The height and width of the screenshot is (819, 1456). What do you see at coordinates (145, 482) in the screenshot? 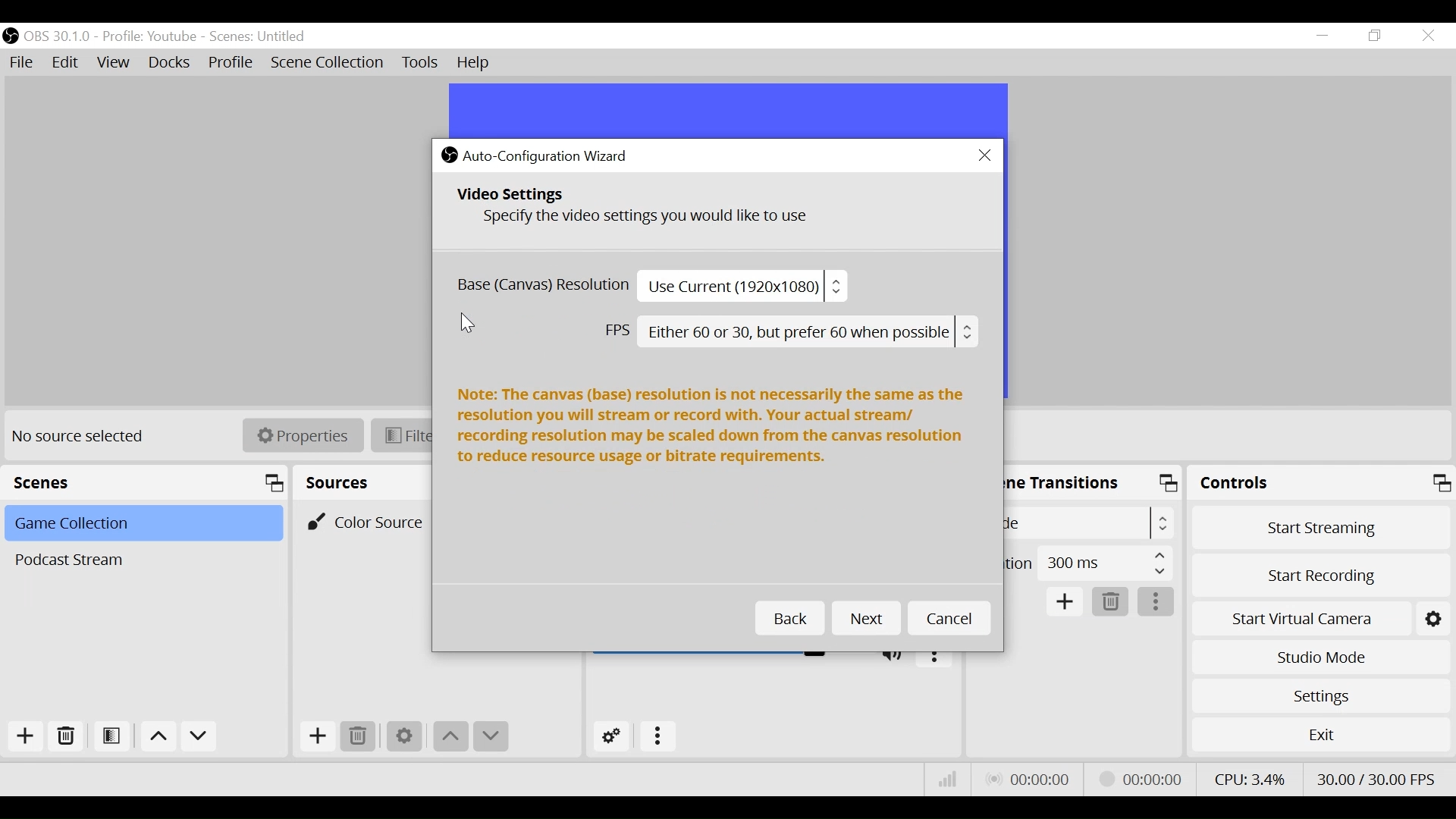
I see `Scenes Panel` at bounding box center [145, 482].